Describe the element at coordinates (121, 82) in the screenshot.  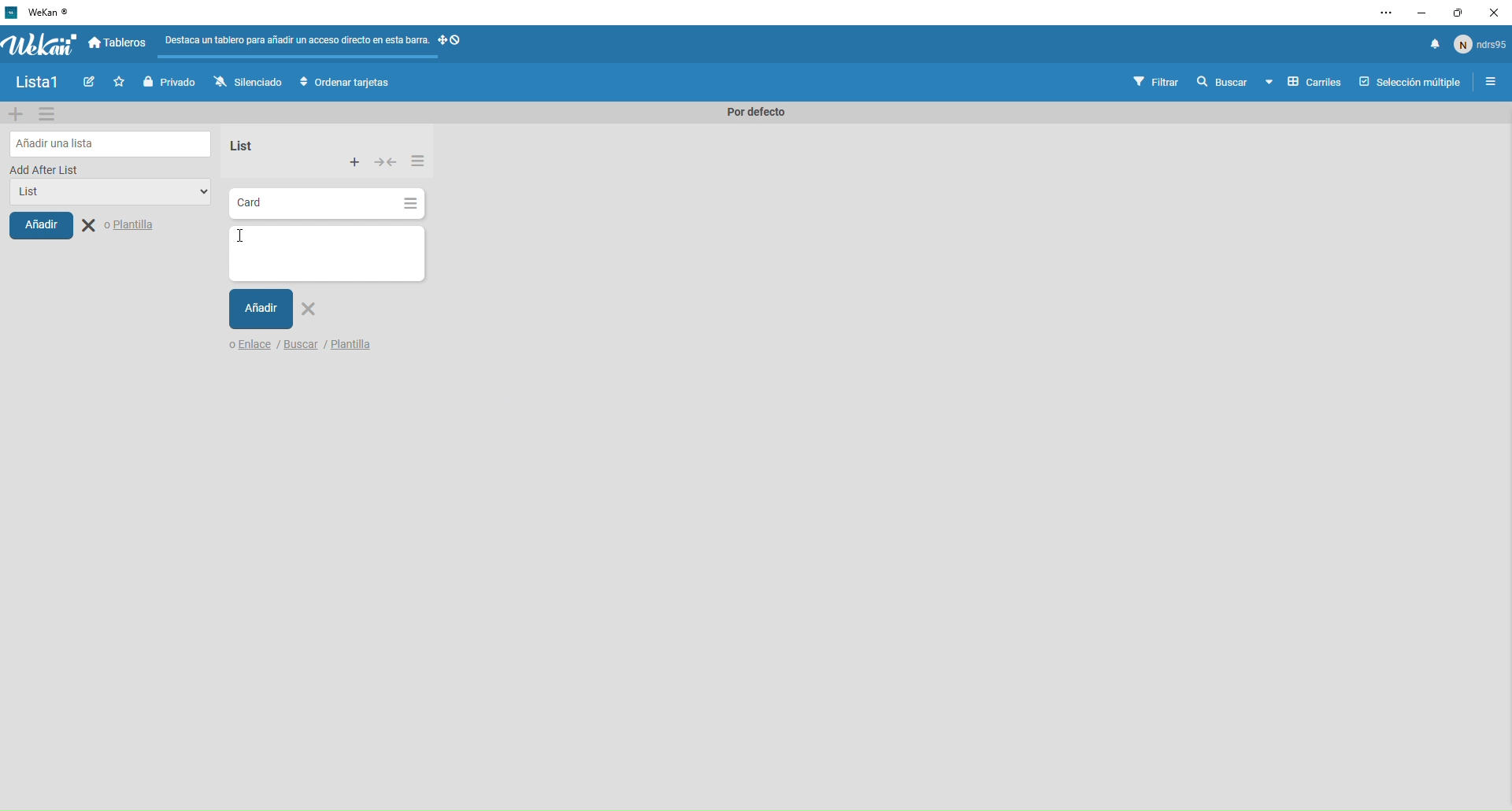
I see `Favourites` at that location.